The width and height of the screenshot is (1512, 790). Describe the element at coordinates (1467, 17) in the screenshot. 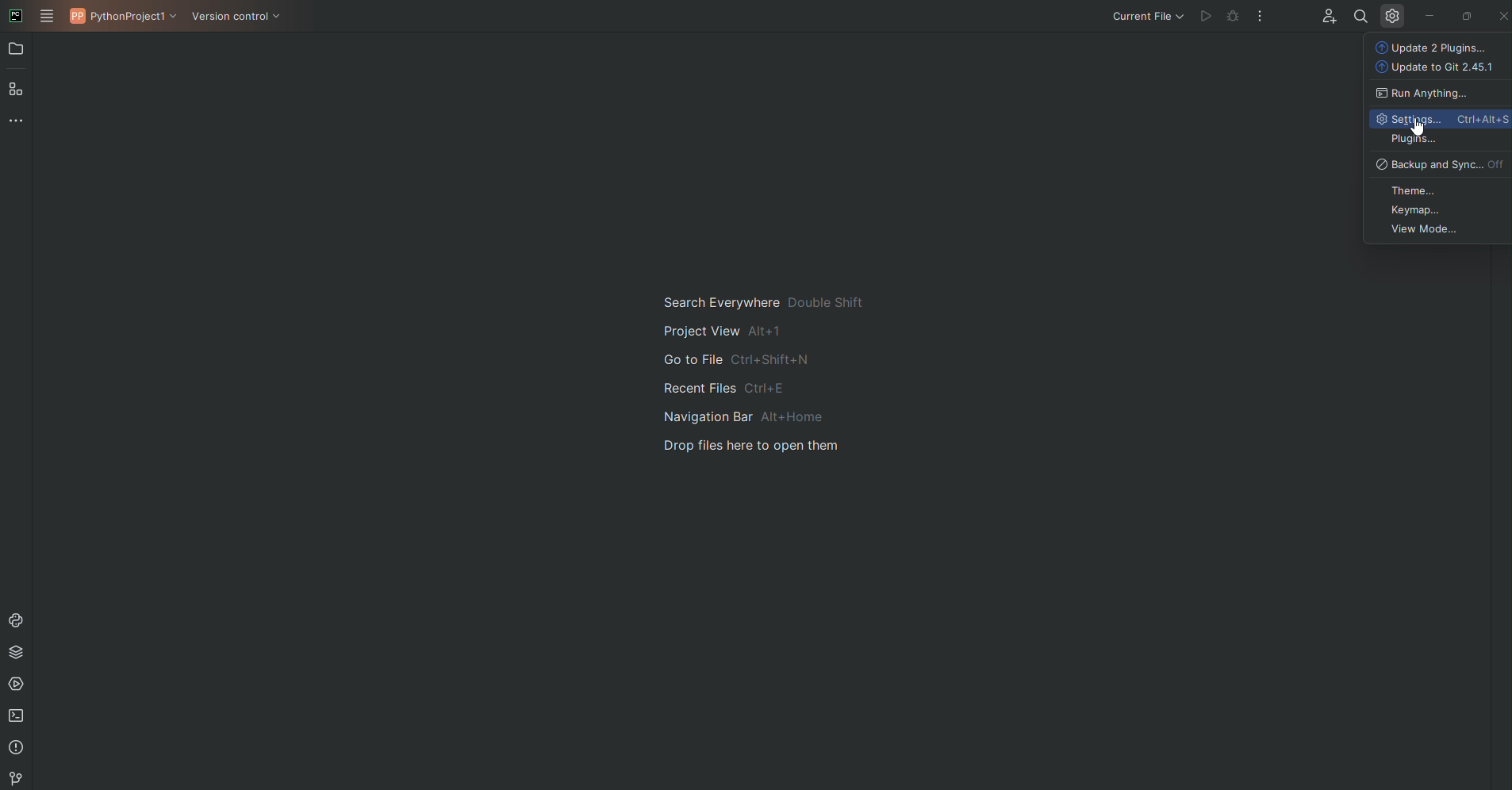

I see `Restore` at that location.